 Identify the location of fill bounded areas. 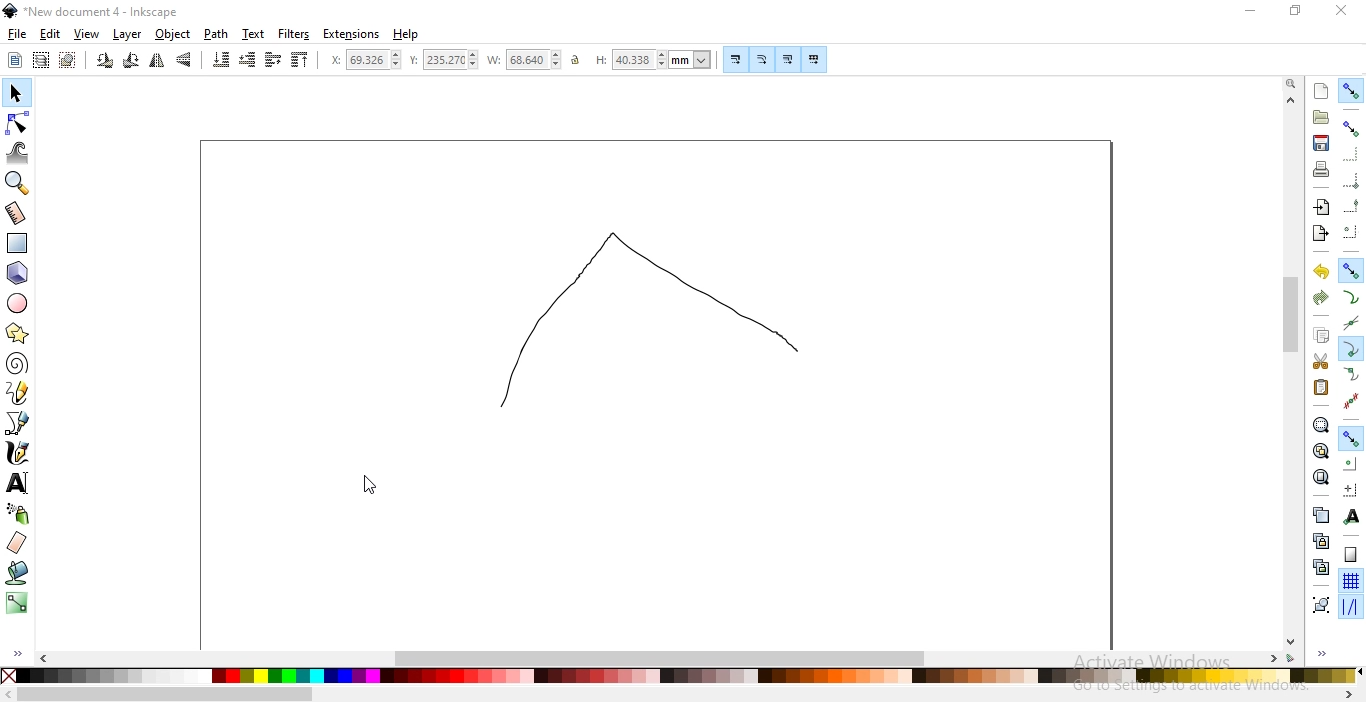
(18, 573).